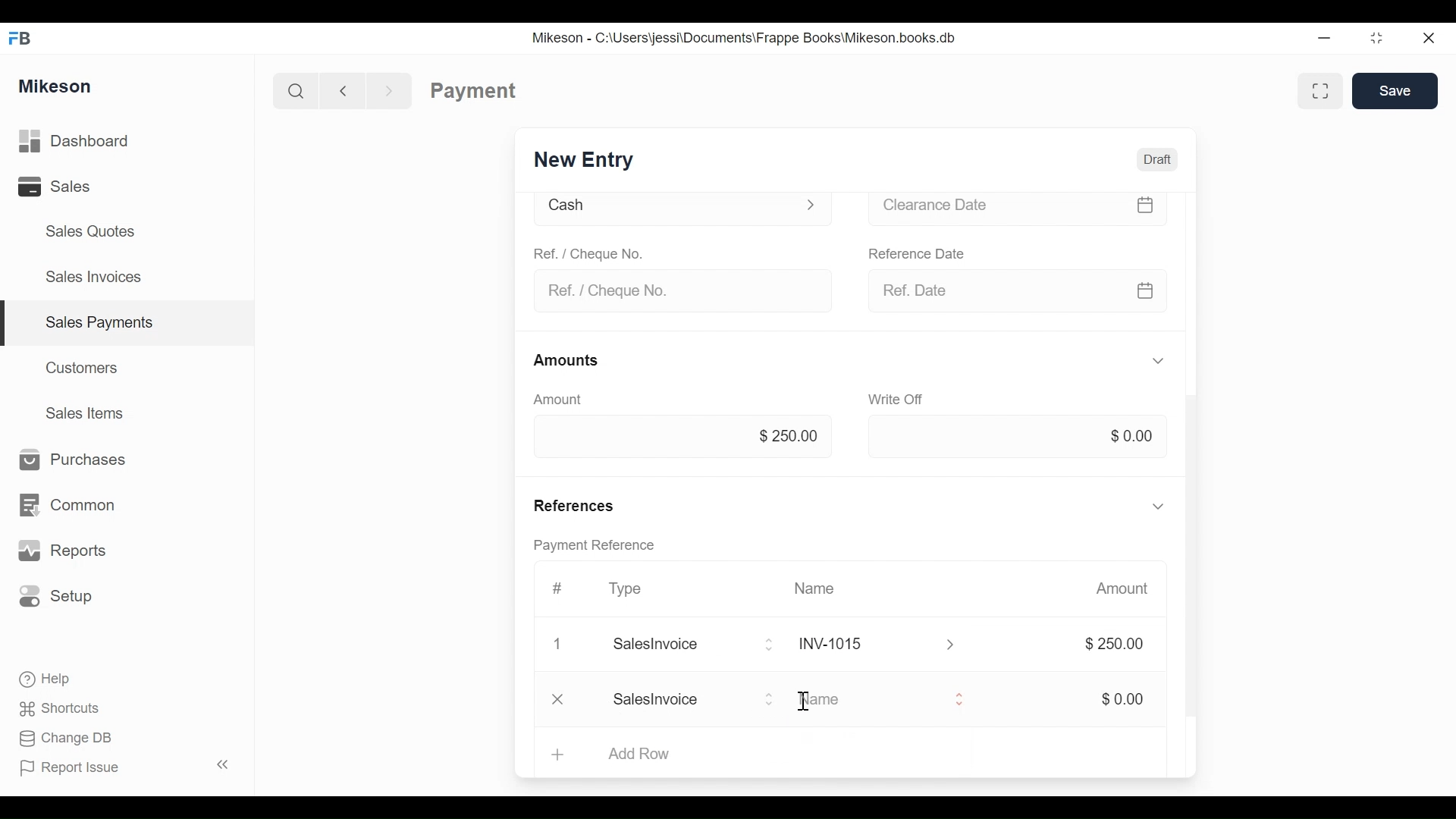 This screenshot has width=1456, height=819. What do you see at coordinates (557, 645) in the screenshot?
I see `Close` at bounding box center [557, 645].